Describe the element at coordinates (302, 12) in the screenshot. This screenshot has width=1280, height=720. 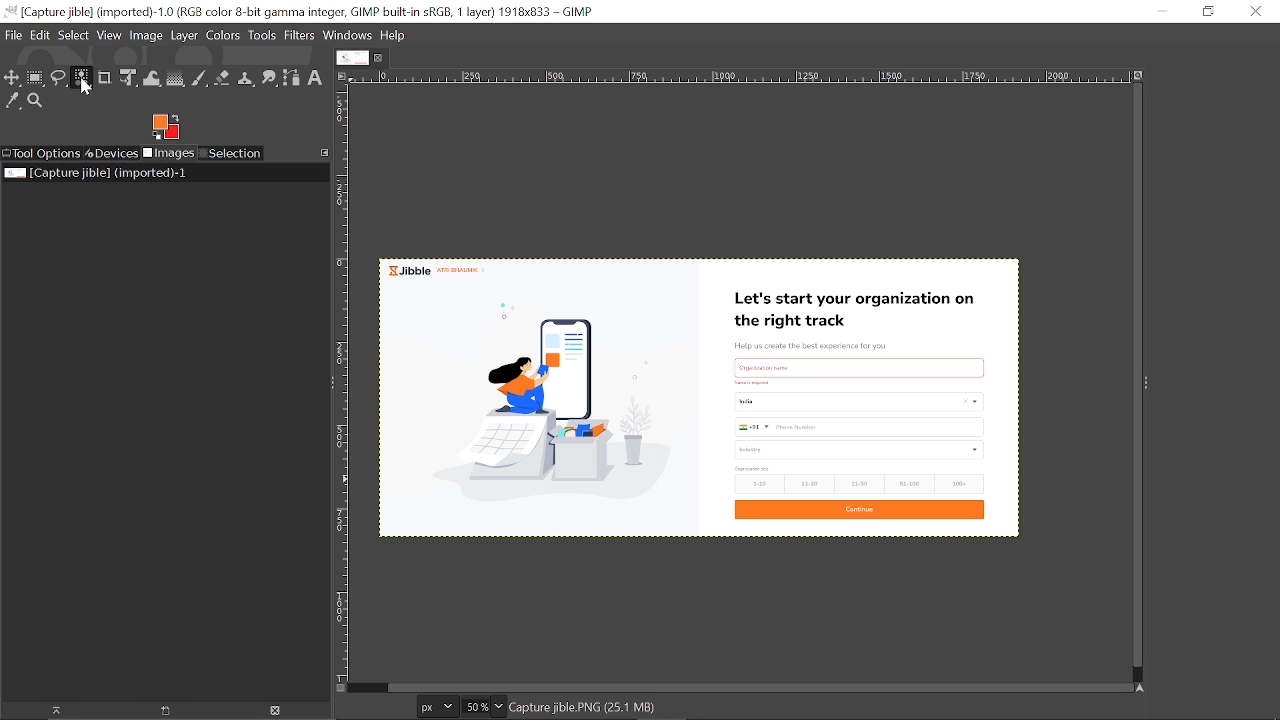
I see `Current window` at that location.